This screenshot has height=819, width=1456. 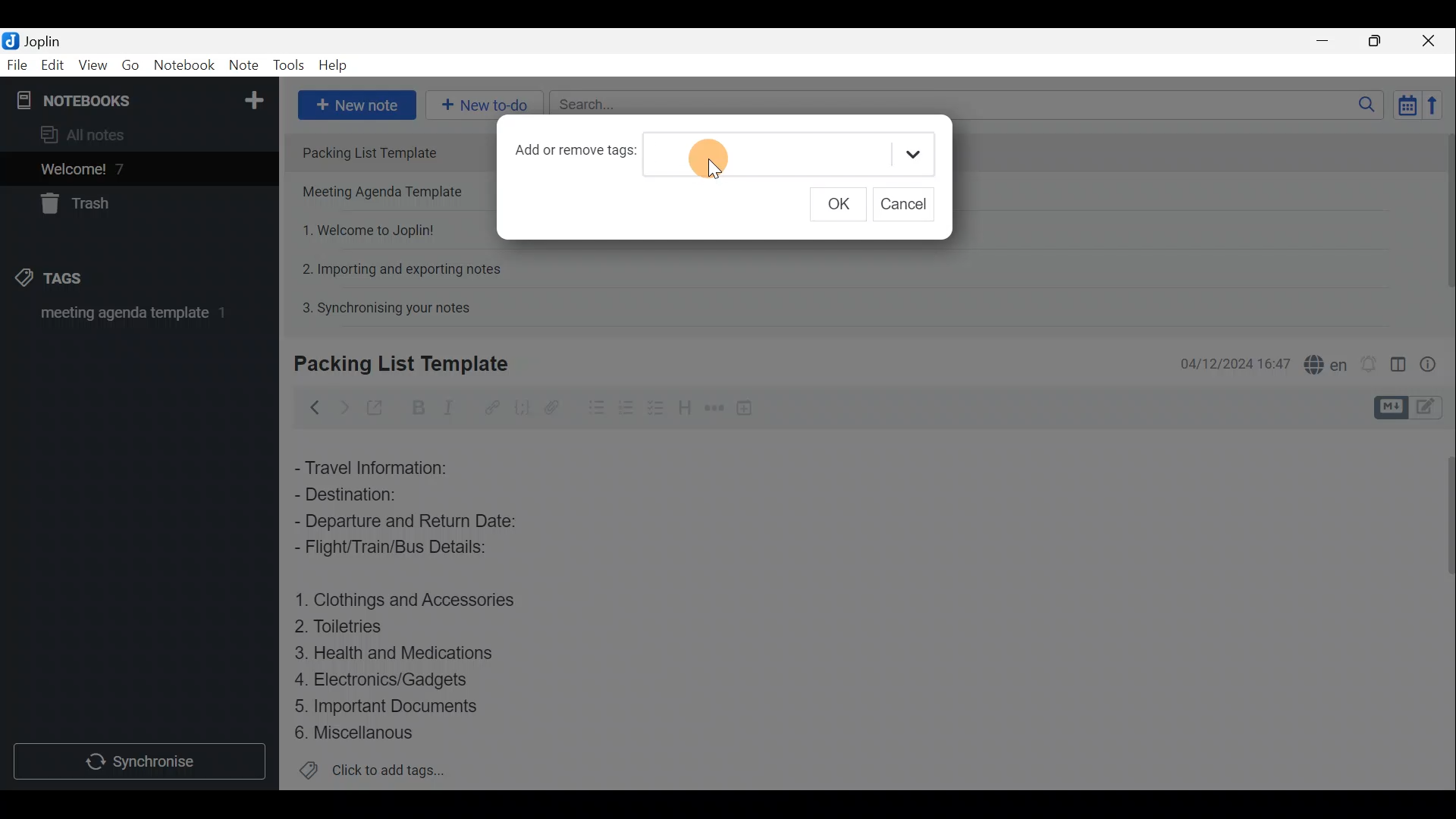 I want to click on Maximise, so click(x=1380, y=41).